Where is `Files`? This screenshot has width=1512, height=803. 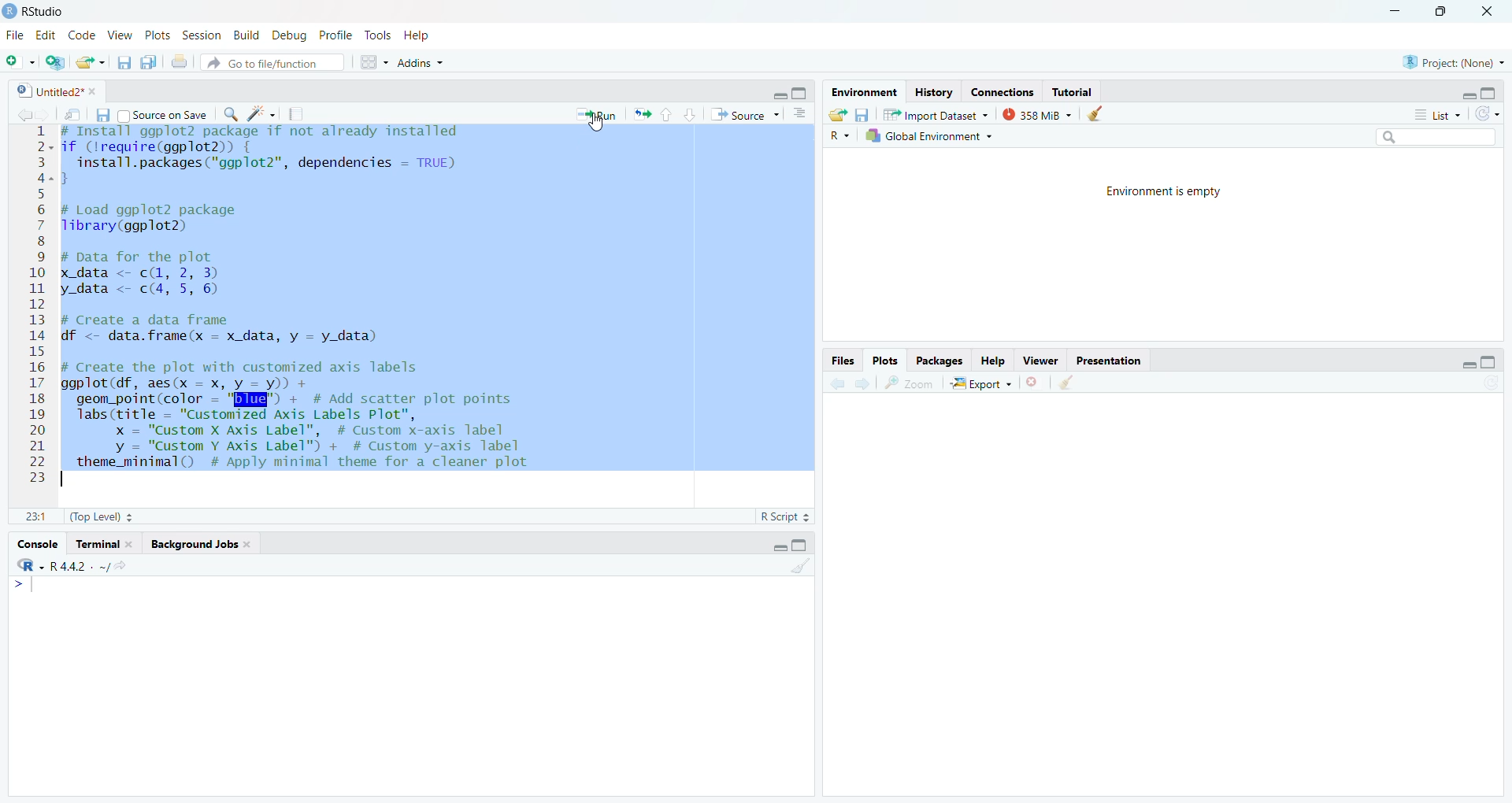 Files is located at coordinates (834, 361).